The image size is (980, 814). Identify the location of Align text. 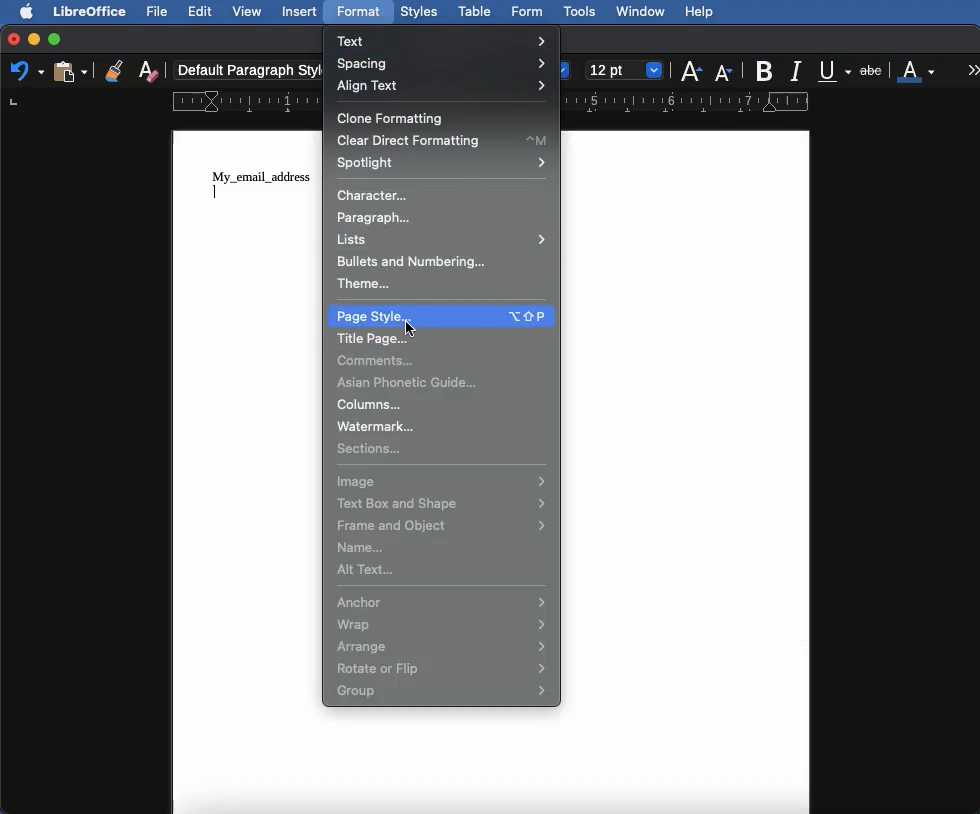
(445, 86).